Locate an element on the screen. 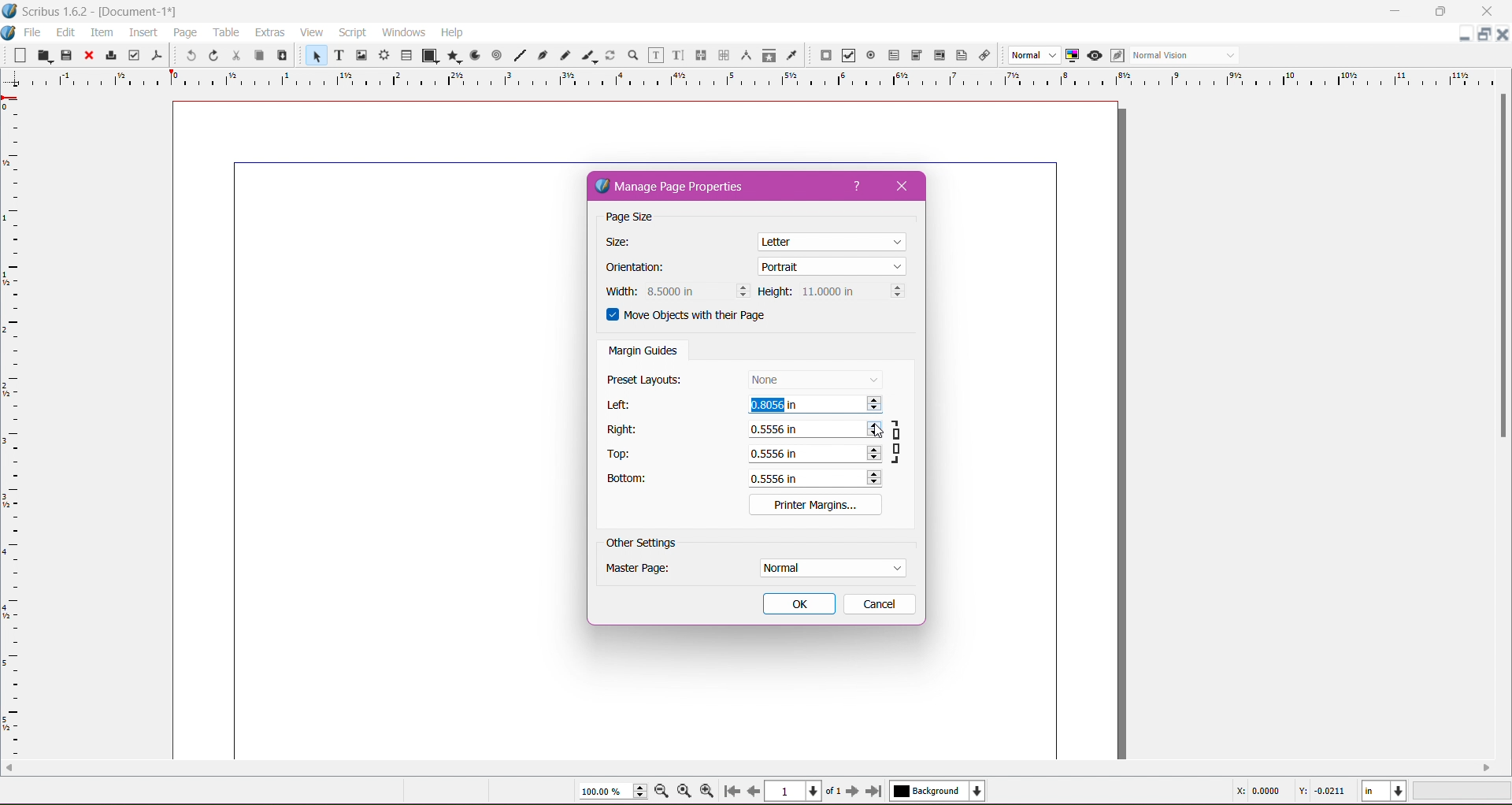  Close is located at coordinates (907, 186).